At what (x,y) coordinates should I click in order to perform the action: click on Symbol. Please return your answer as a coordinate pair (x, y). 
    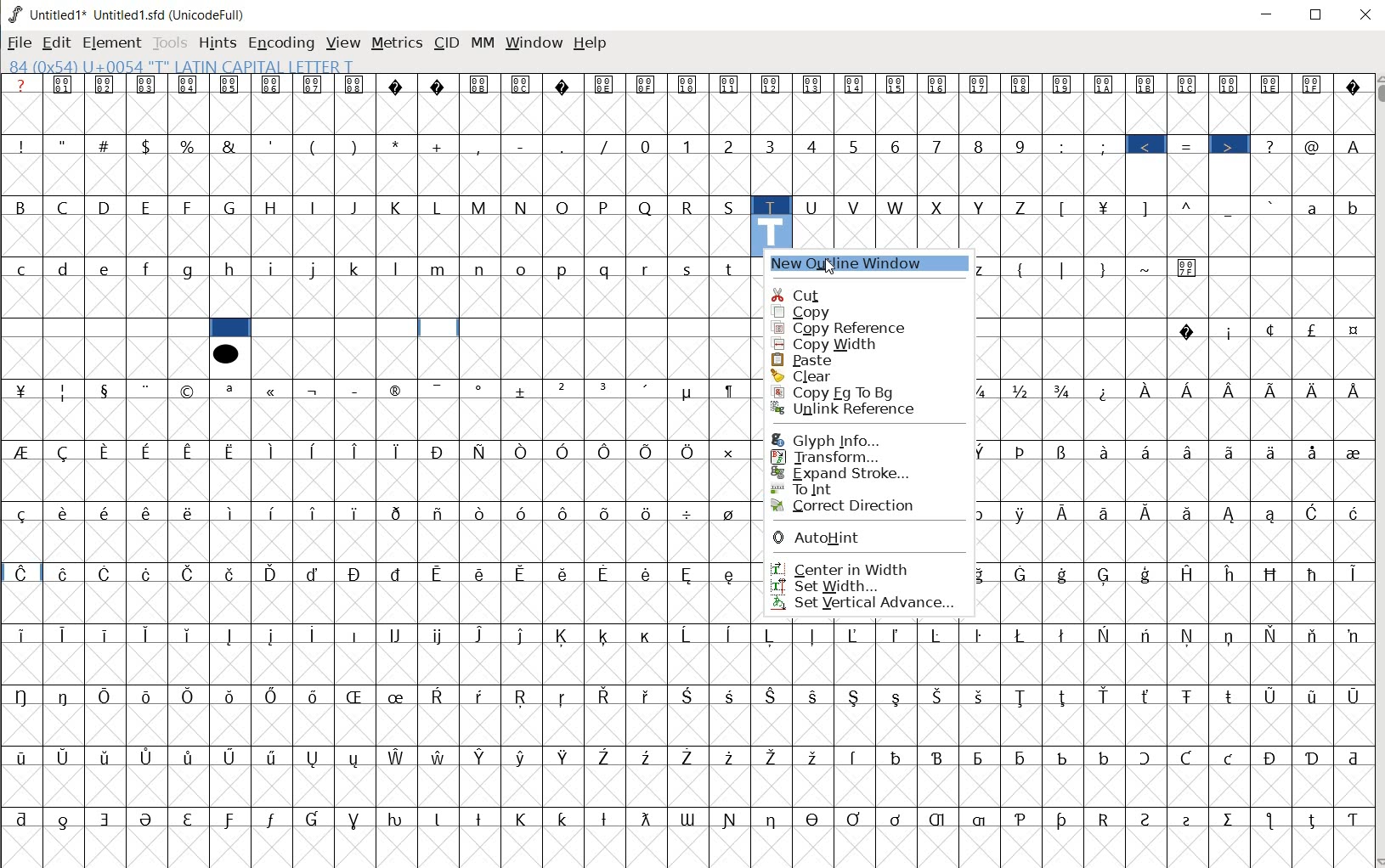
    Looking at the image, I should click on (231, 758).